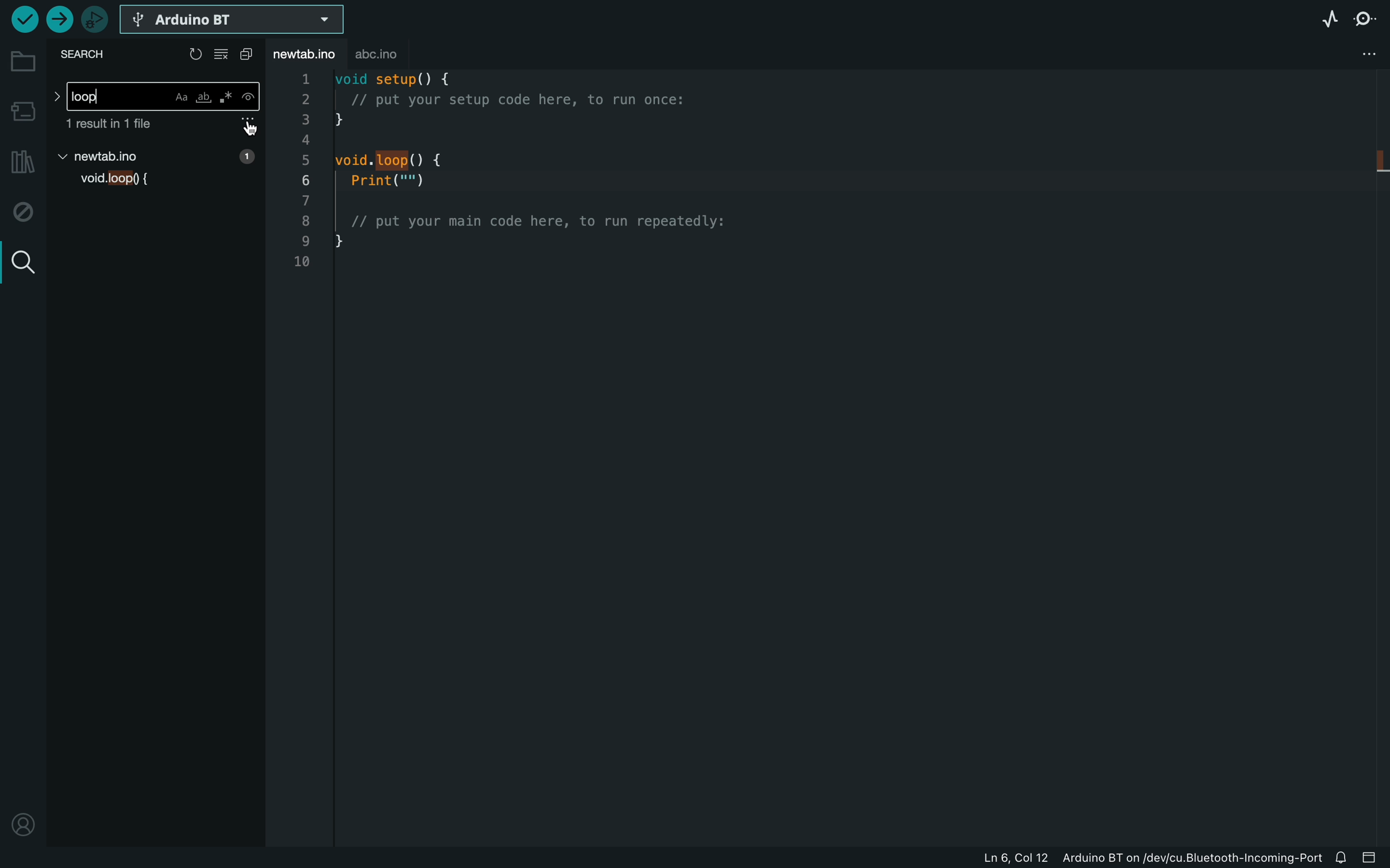  What do you see at coordinates (249, 55) in the screenshot?
I see `copy` at bounding box center [249, 55].